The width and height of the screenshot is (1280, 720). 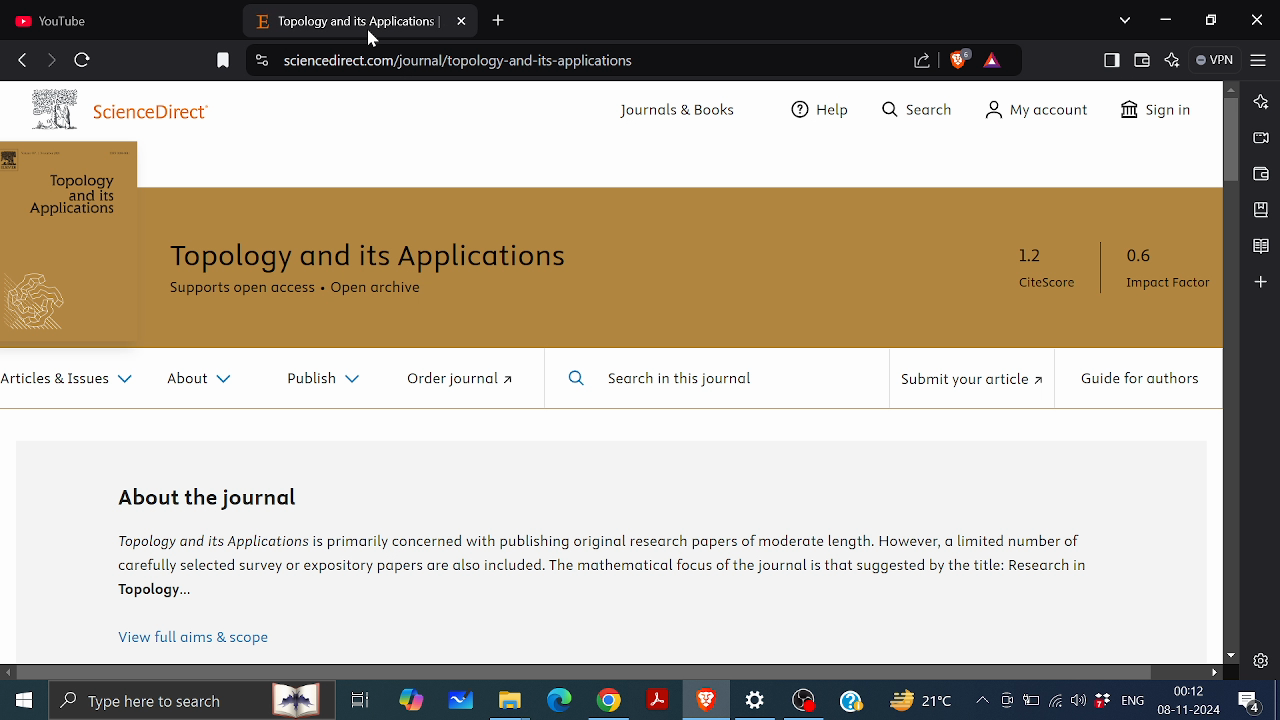 What do you see at coordinates (1214, 21) in the screenshot?
I see `Restore down` at bounding box center [1214, 21].